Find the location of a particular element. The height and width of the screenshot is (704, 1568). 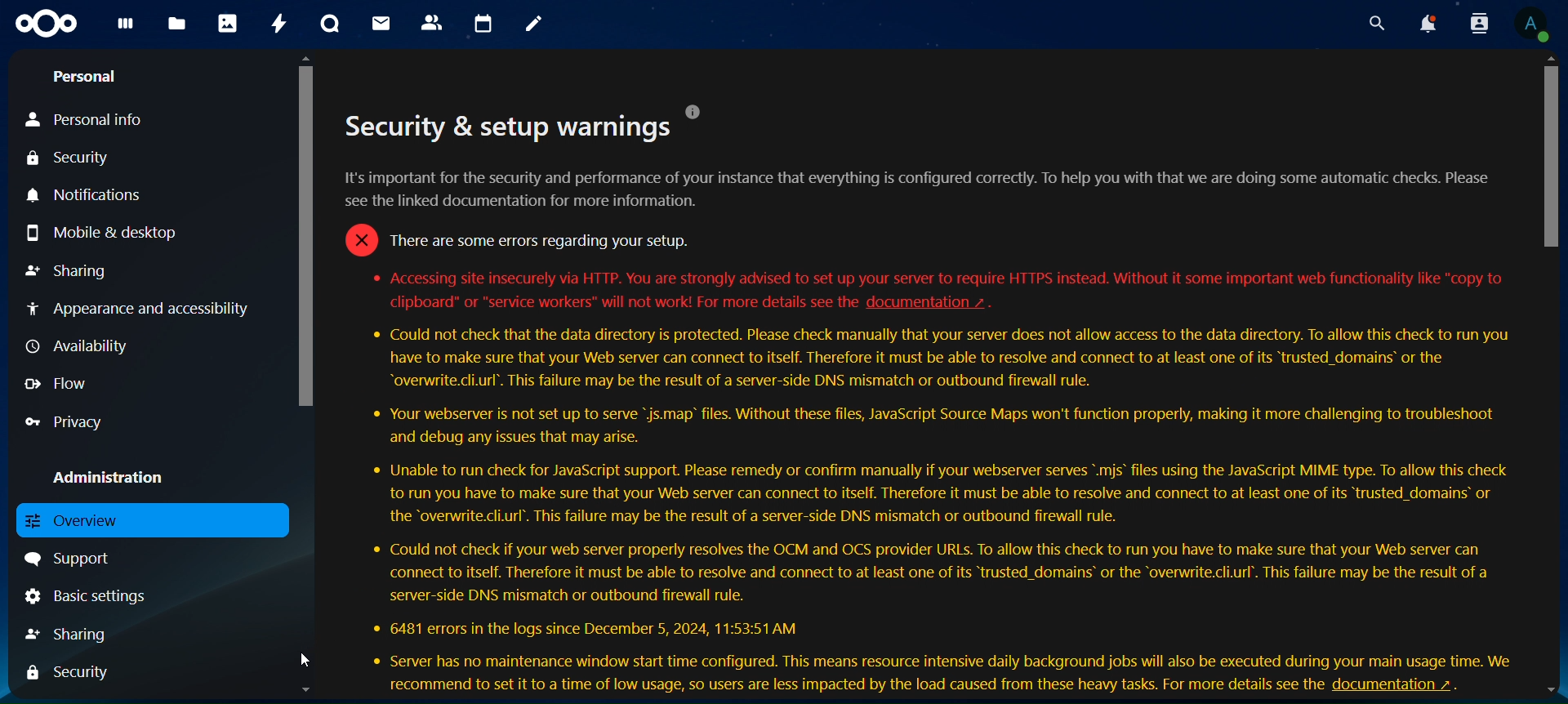

talk is located at coordinates (327, 25).